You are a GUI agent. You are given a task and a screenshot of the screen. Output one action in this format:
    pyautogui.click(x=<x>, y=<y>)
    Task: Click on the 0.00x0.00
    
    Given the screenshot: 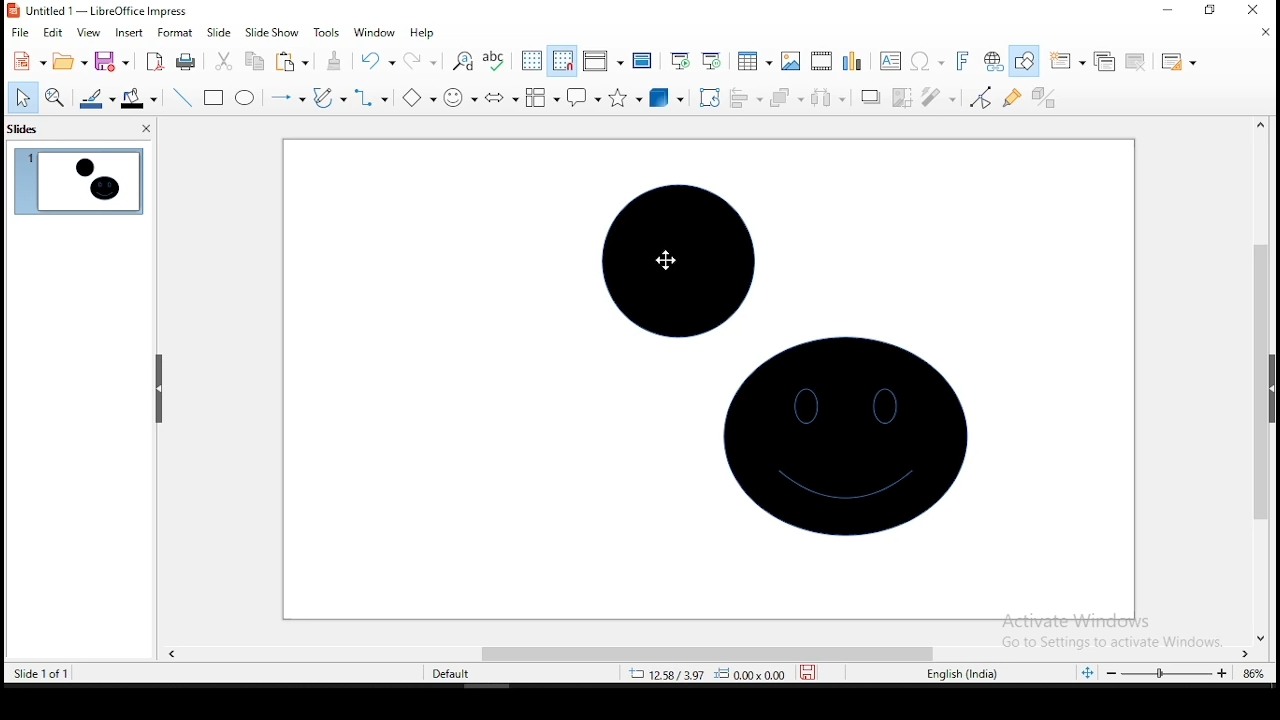 What is the action you would take?
    pyautogui.click(x=751, y=674)
    